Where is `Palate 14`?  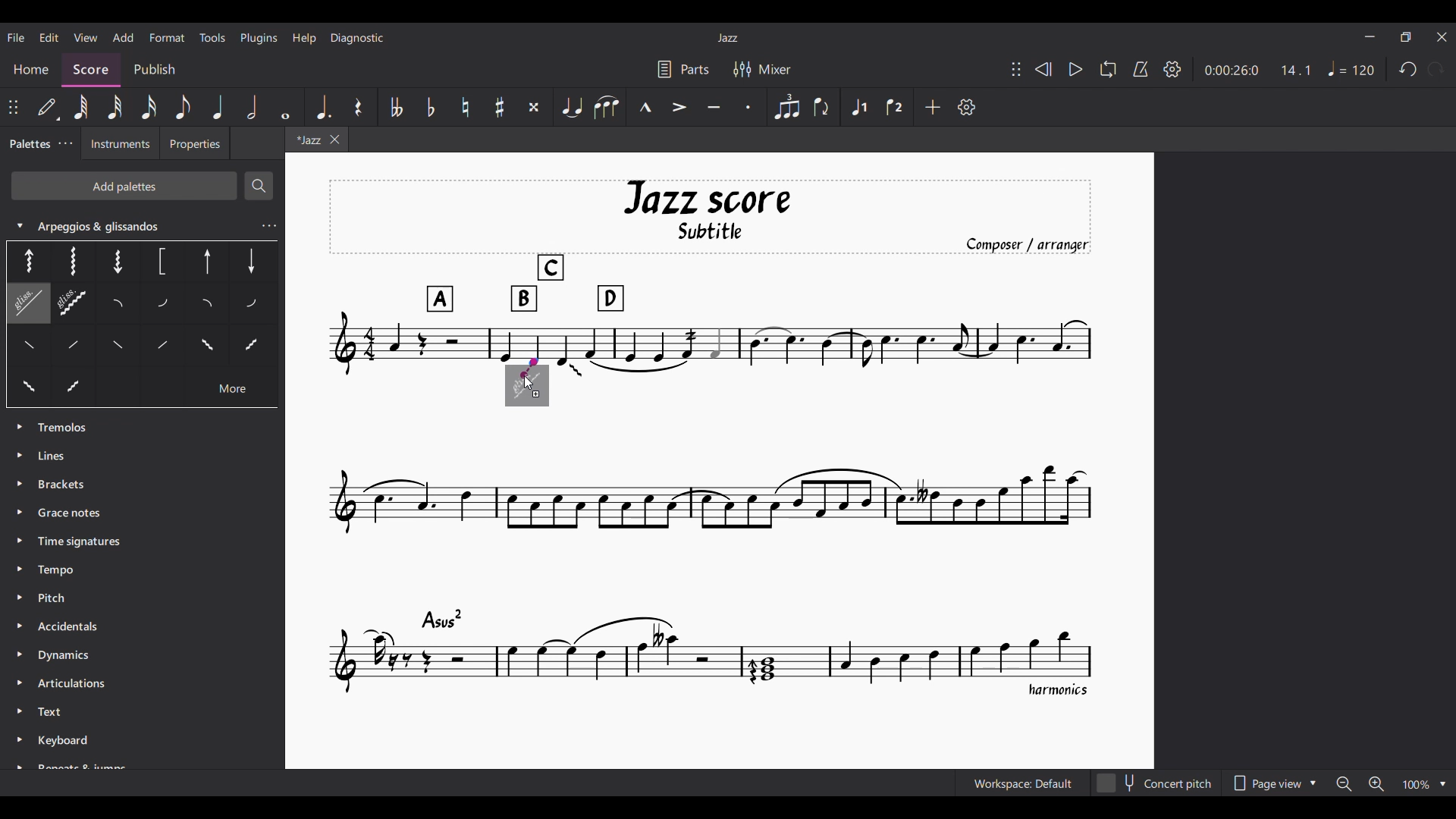
Palate 14 is located at coordinates (158, 349).